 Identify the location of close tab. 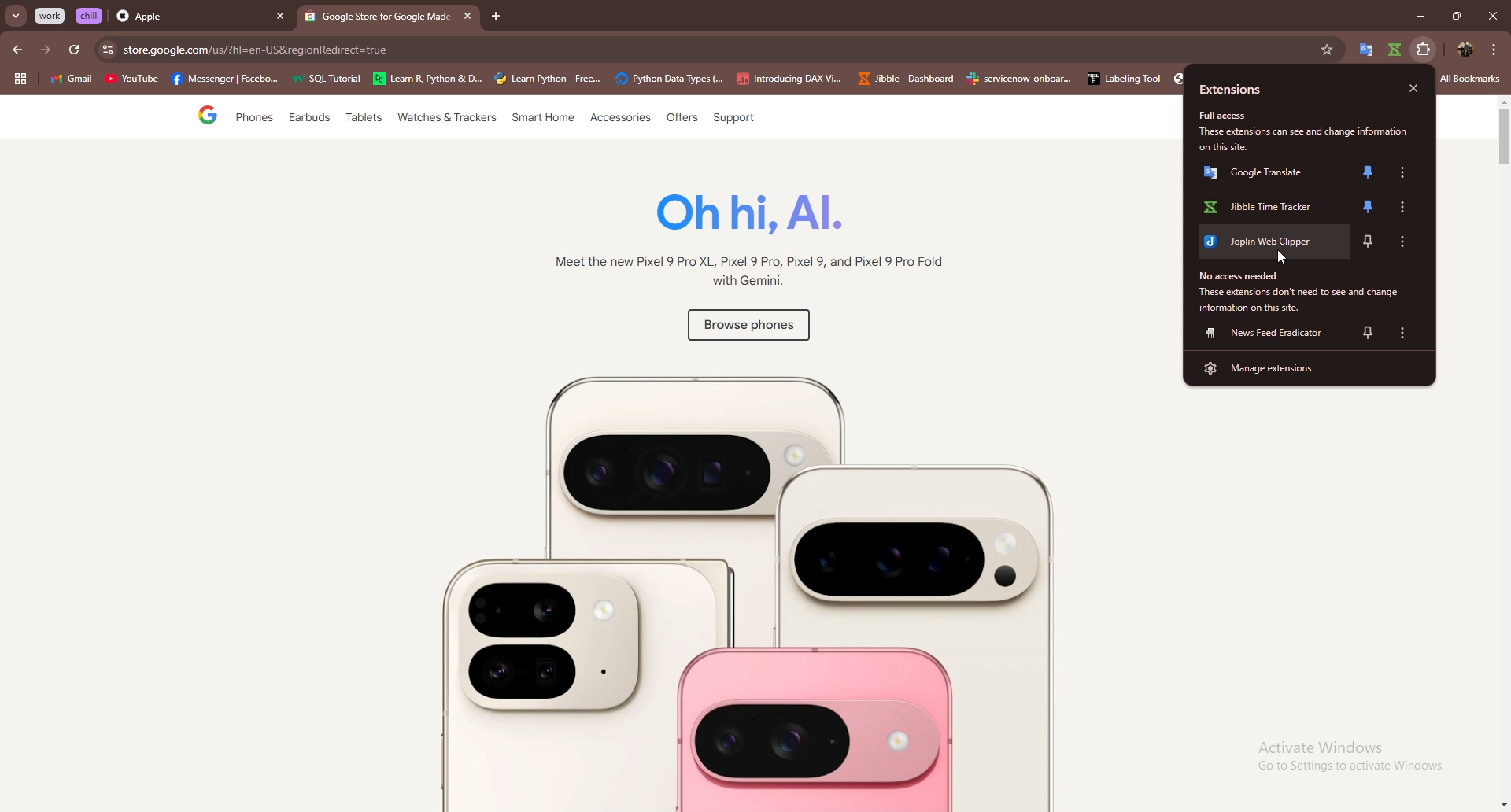
(280, 17).